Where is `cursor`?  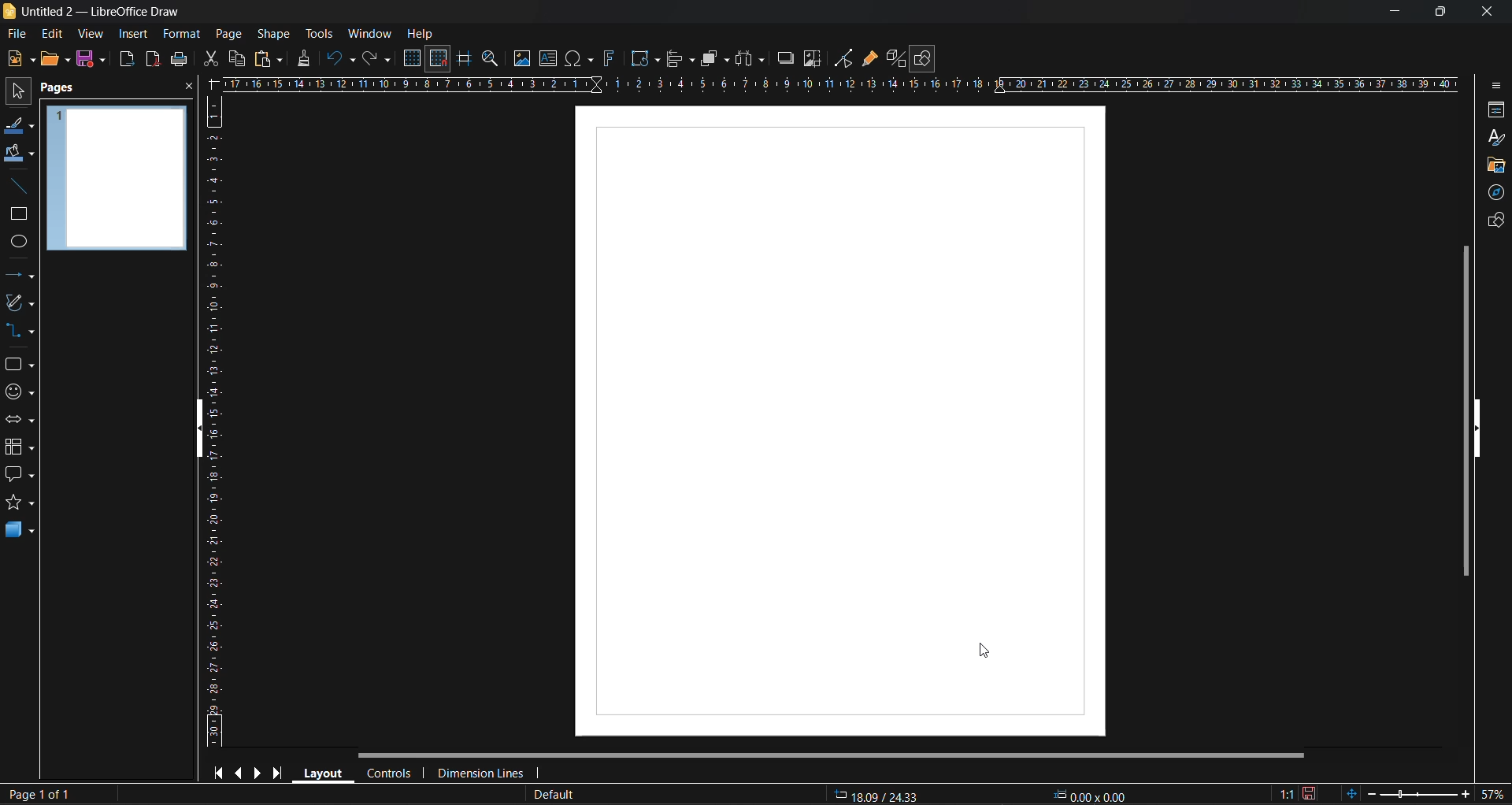 cursor is located at coordinates (983, 651).